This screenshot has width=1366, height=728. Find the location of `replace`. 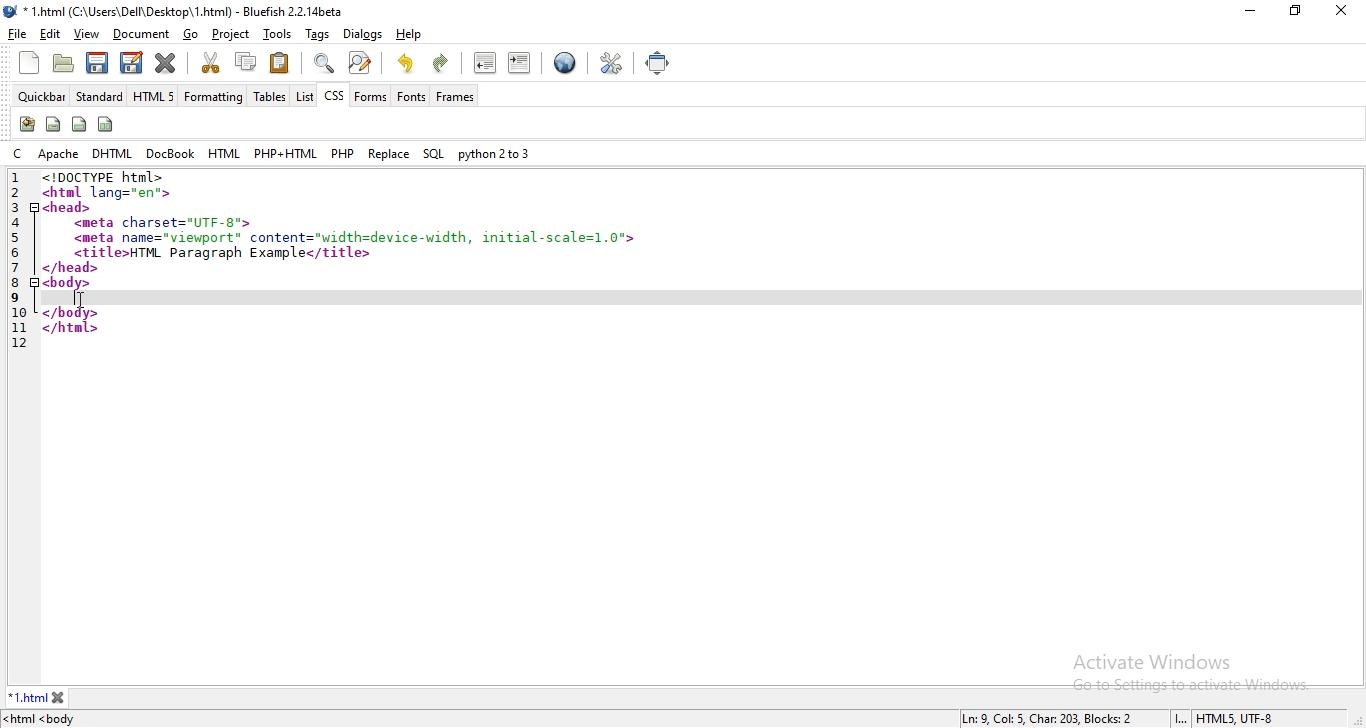

replace is located at coordinates (389, 153).